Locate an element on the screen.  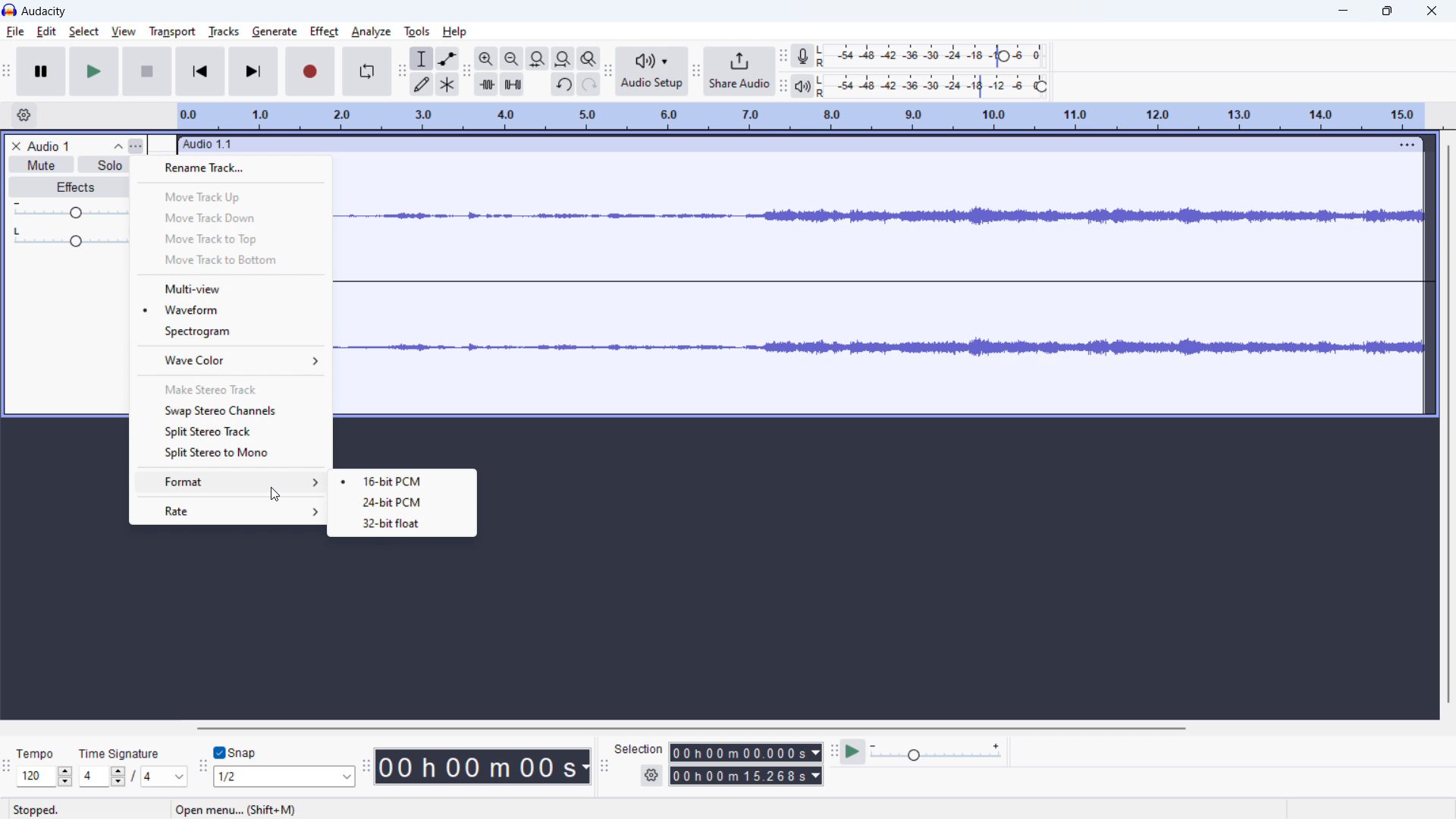
trim audio outside selection is located at coordinates (485, 83).